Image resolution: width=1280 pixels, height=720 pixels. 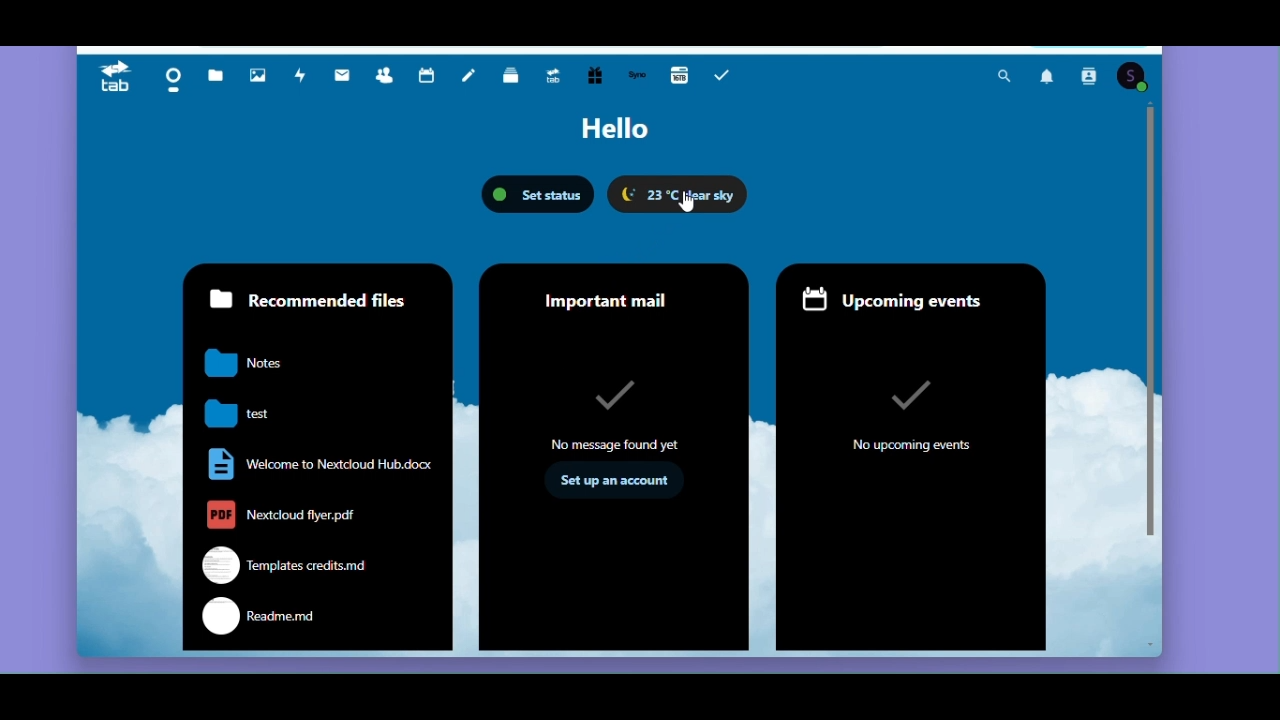 I want to click on Deck, so click(x=514, y=77).